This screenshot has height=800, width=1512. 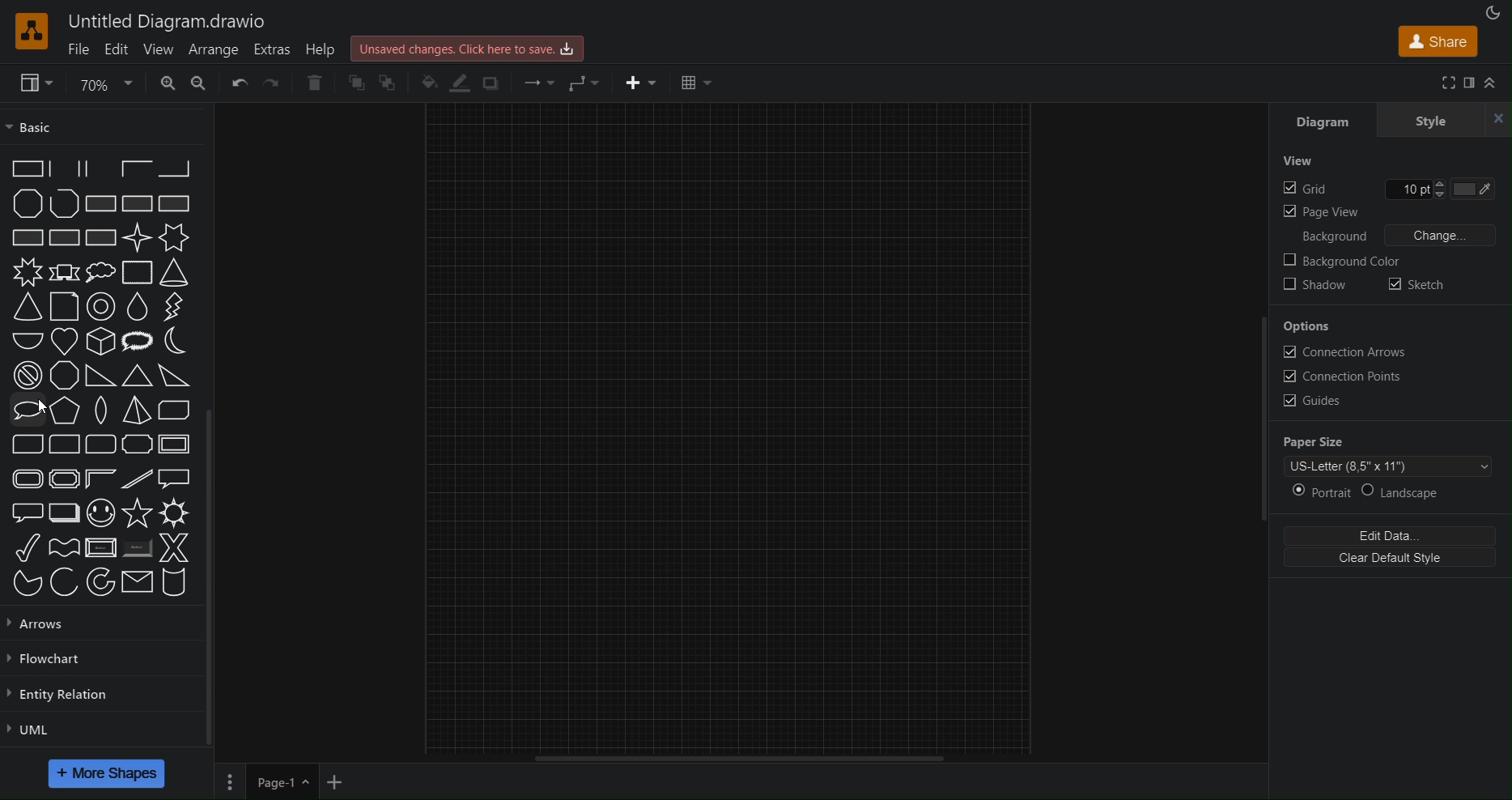 What do you see at coordinates (65, 479) in the screenshot?
I see `Plaque Frame` at bounding box center [65, 479].